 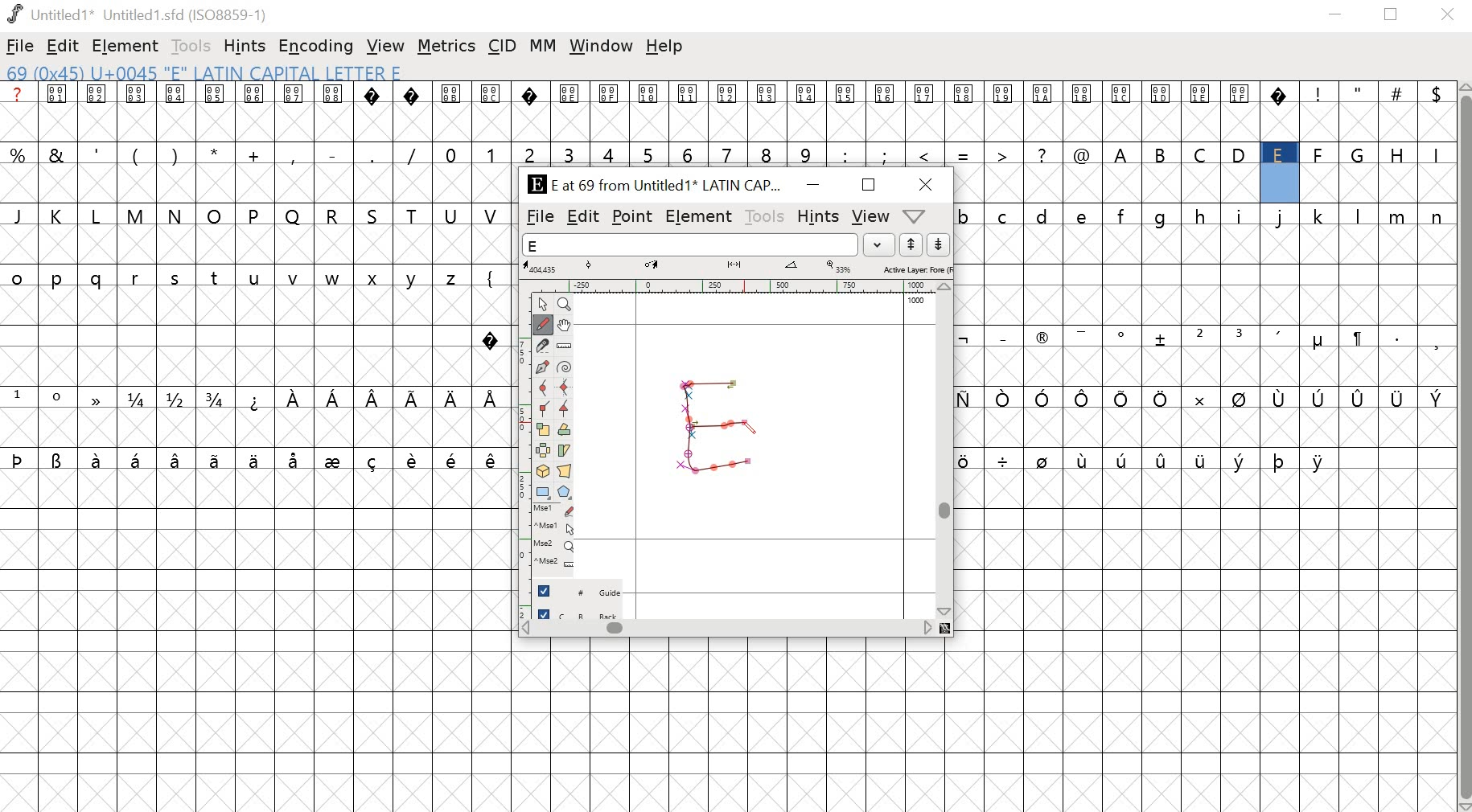 What do you see at coordinates (542, 305) in the screenshot?
I see `Point` at bounding box center [542, 305].